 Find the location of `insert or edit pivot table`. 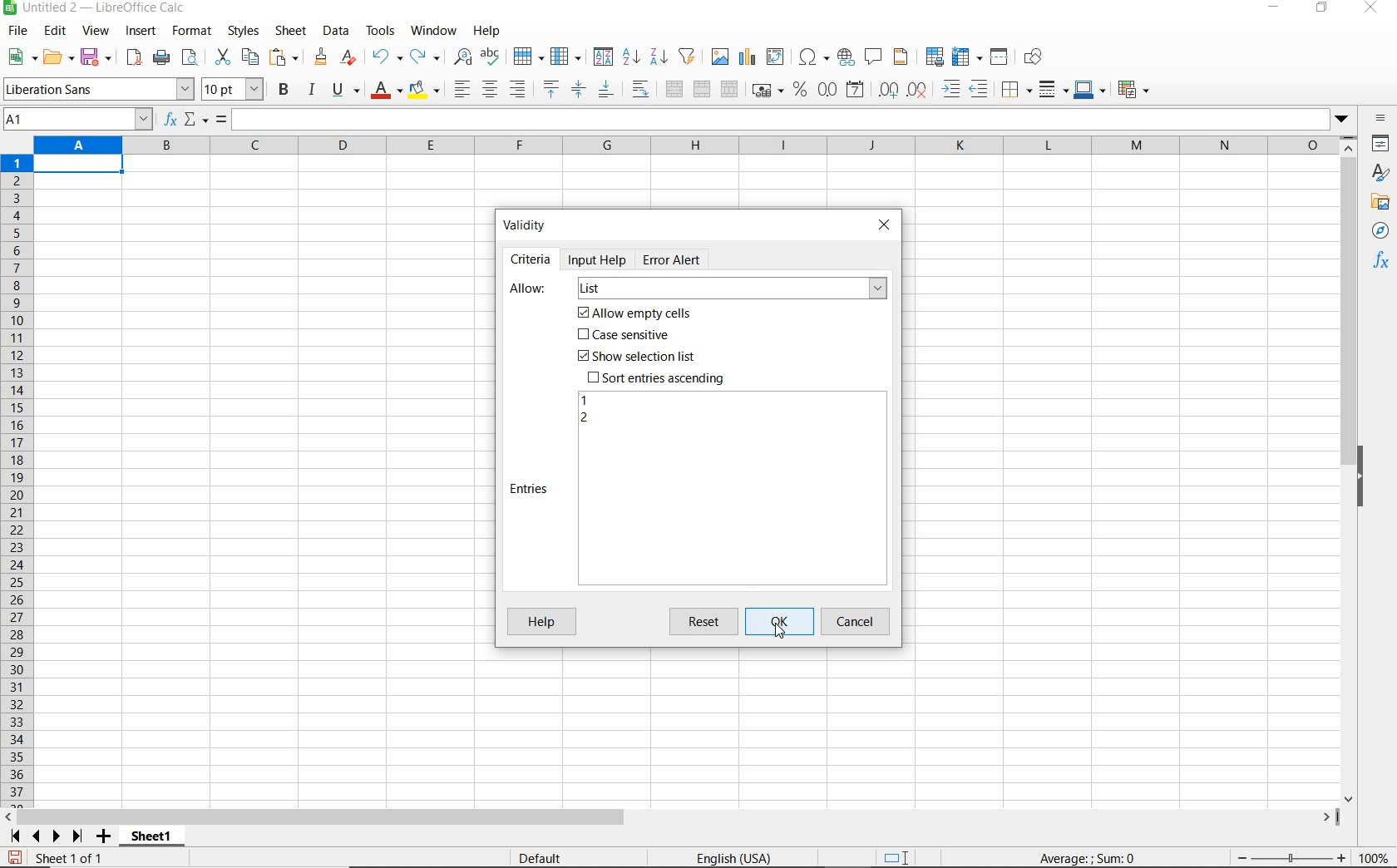

insert or edit pivot table is located at coordinates (777, 57).